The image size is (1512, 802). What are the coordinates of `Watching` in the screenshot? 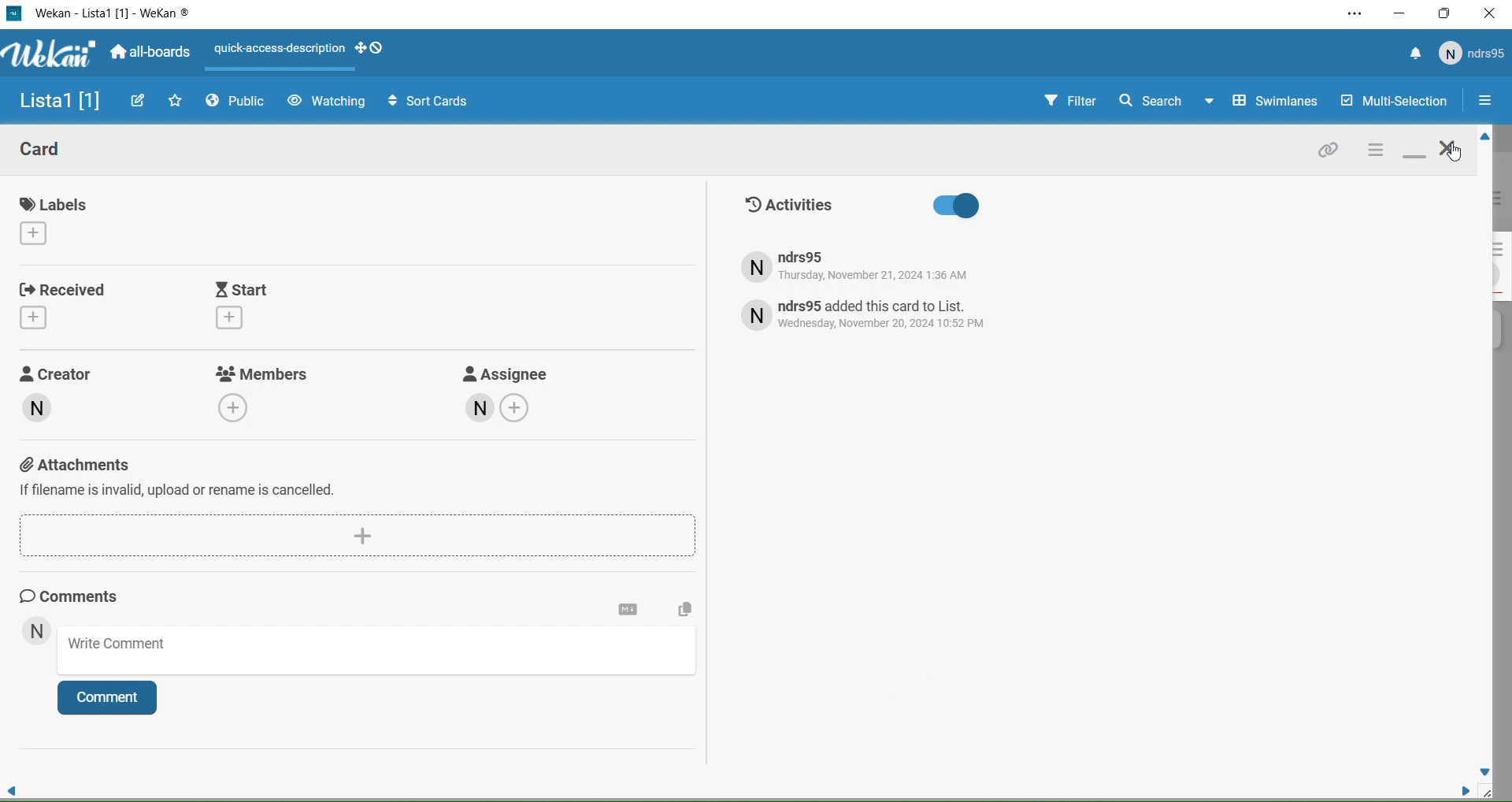 It's located at (326, 102).